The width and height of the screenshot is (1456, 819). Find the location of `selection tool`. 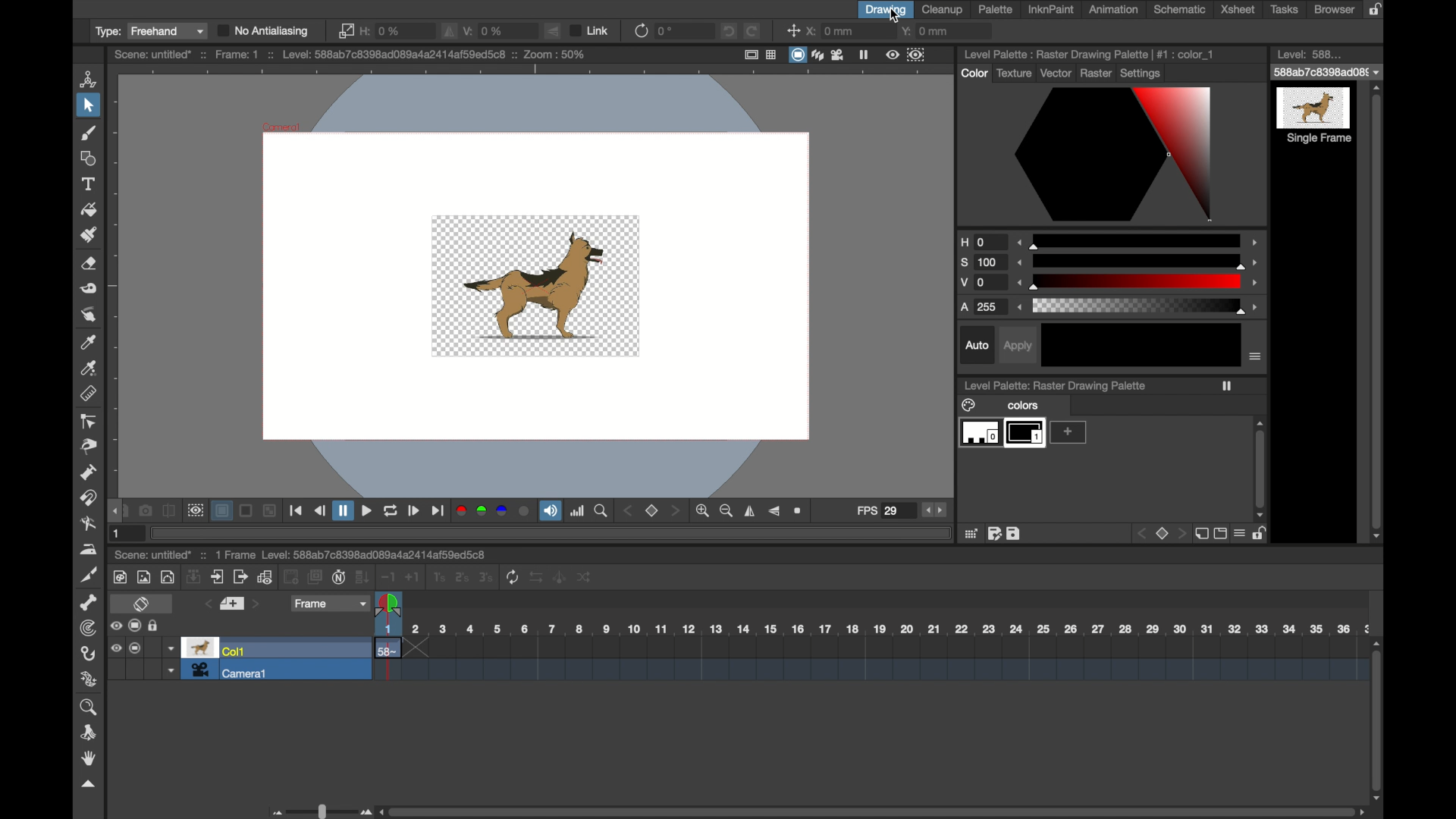

selection tool is located at coordinates (87, 105).